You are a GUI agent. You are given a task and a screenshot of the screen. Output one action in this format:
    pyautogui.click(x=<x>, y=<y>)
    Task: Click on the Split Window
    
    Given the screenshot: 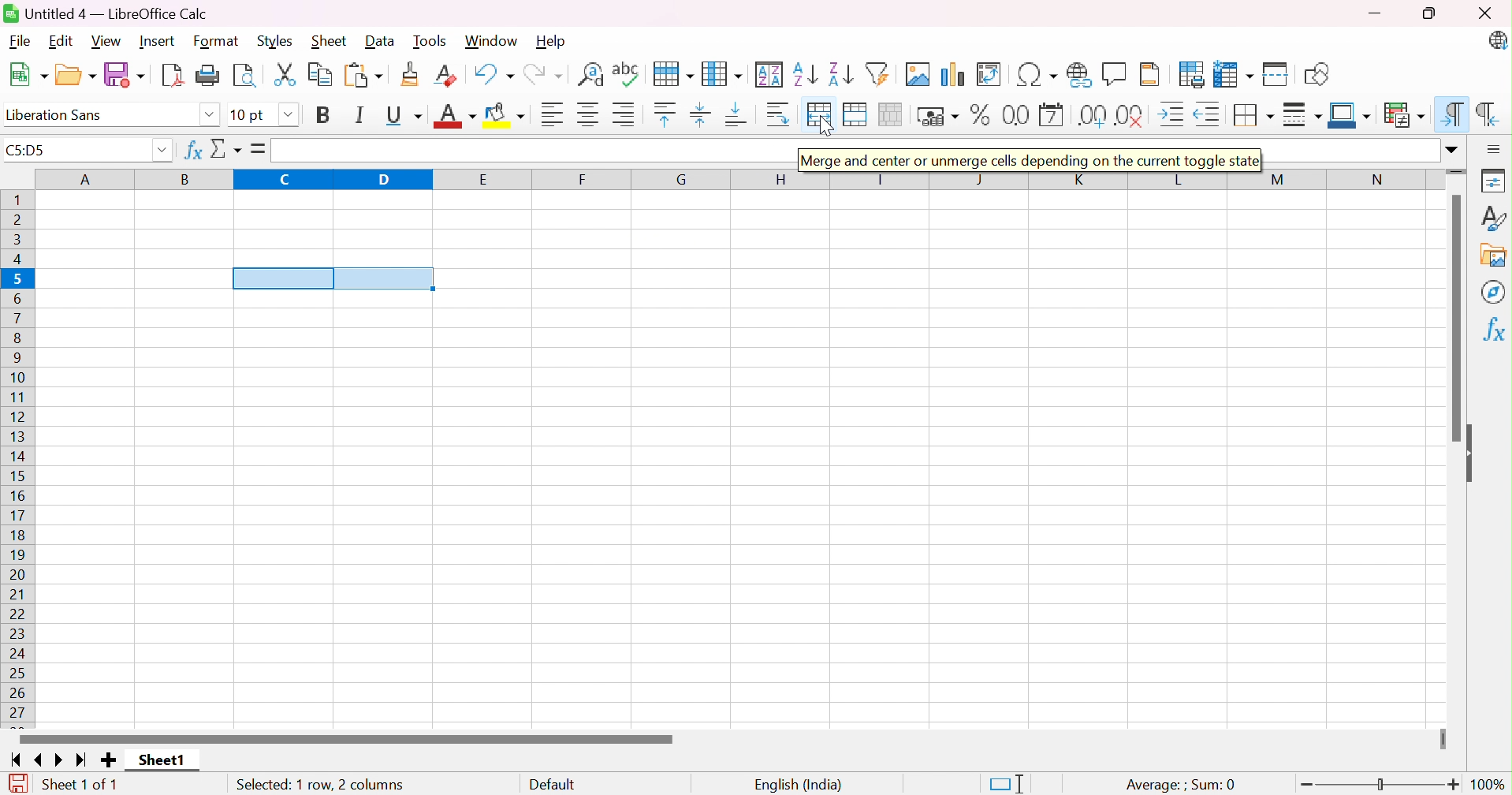 What is the action you would take?
    pyautogui.click(x=1277, y=73)
    